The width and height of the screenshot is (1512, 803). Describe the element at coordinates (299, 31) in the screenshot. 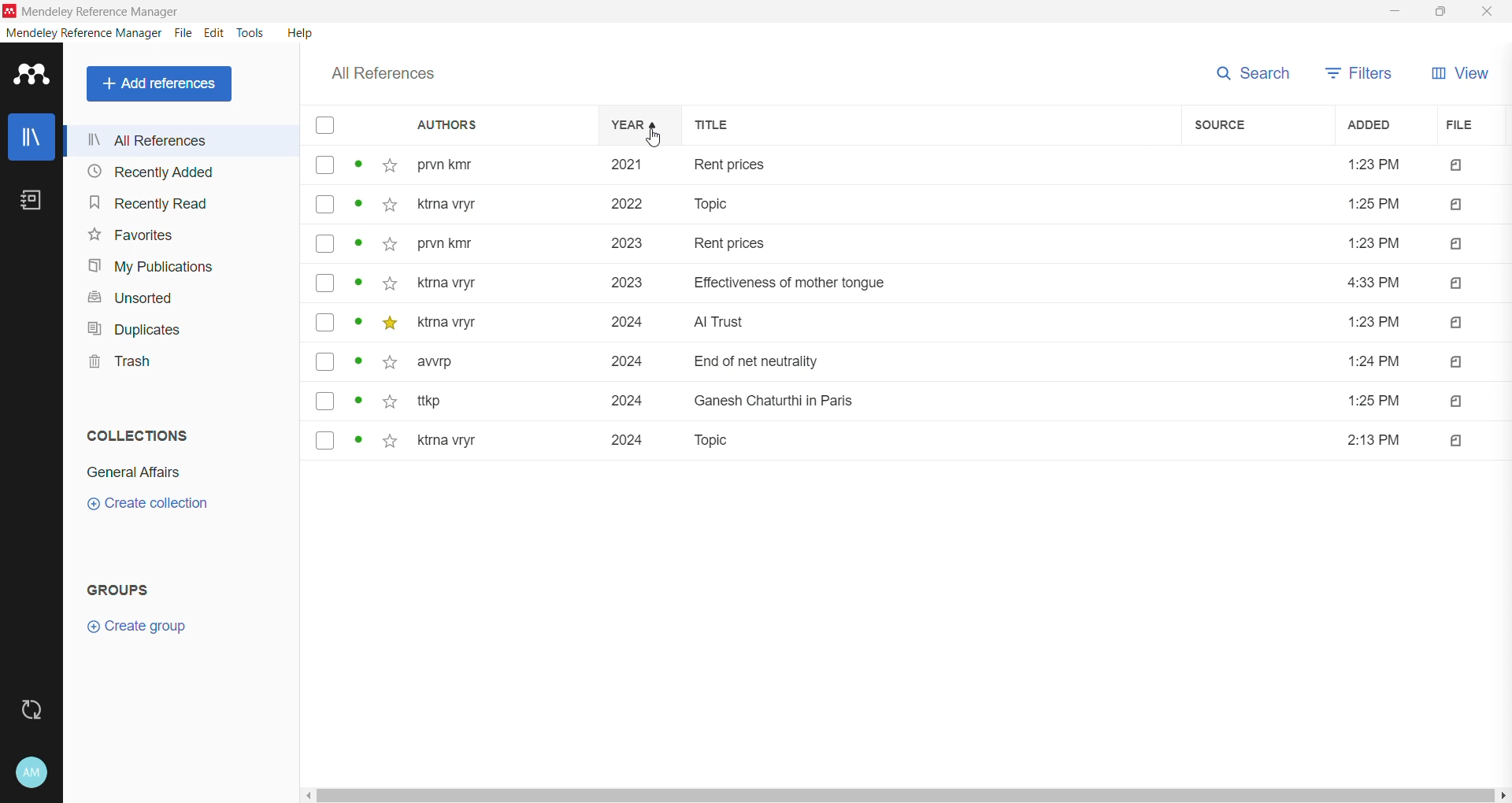

I see `Help` at that location.